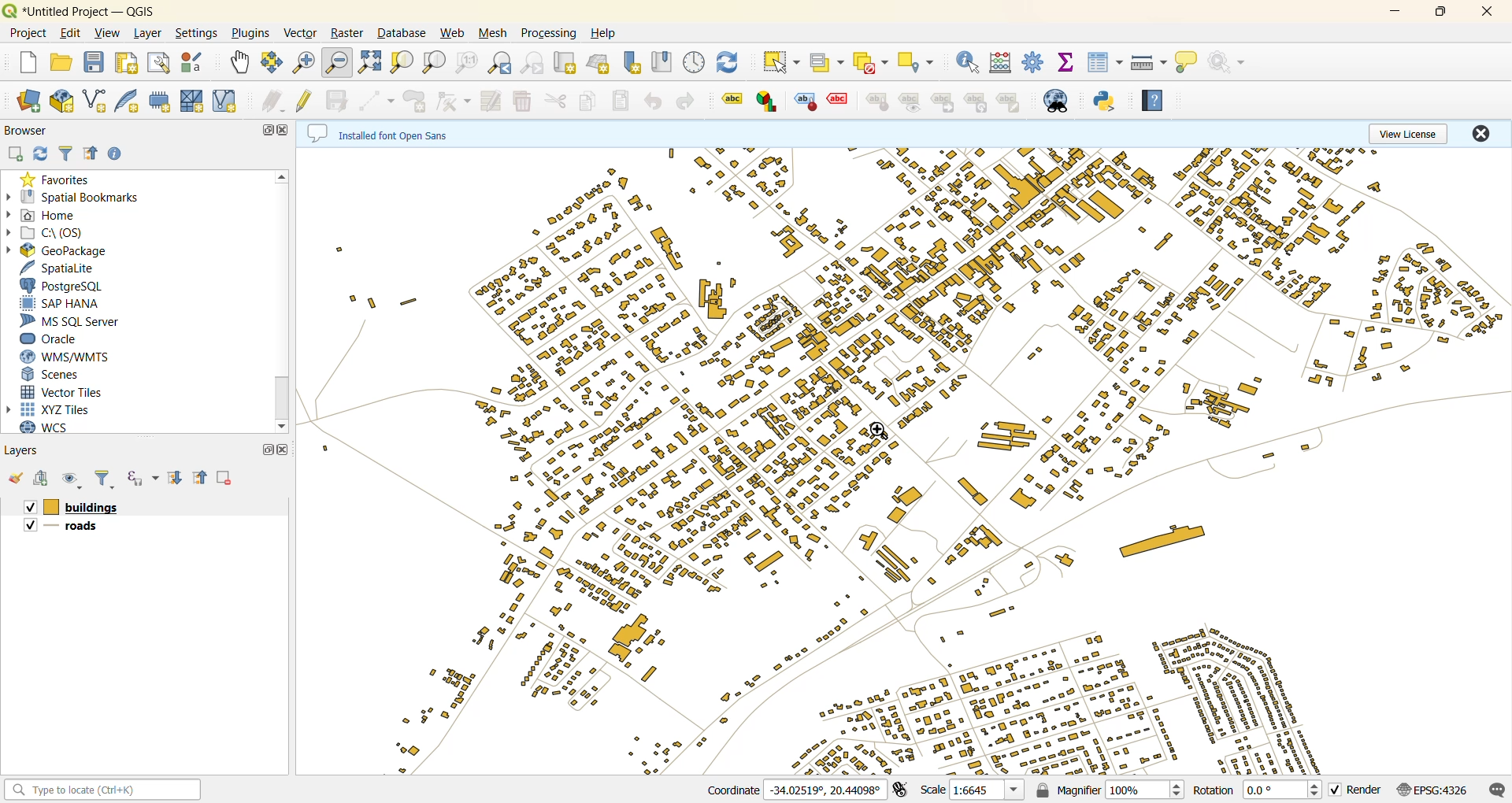 The image size is (1512, 803). I want to click on enable/disable properties, so click(123, 154).